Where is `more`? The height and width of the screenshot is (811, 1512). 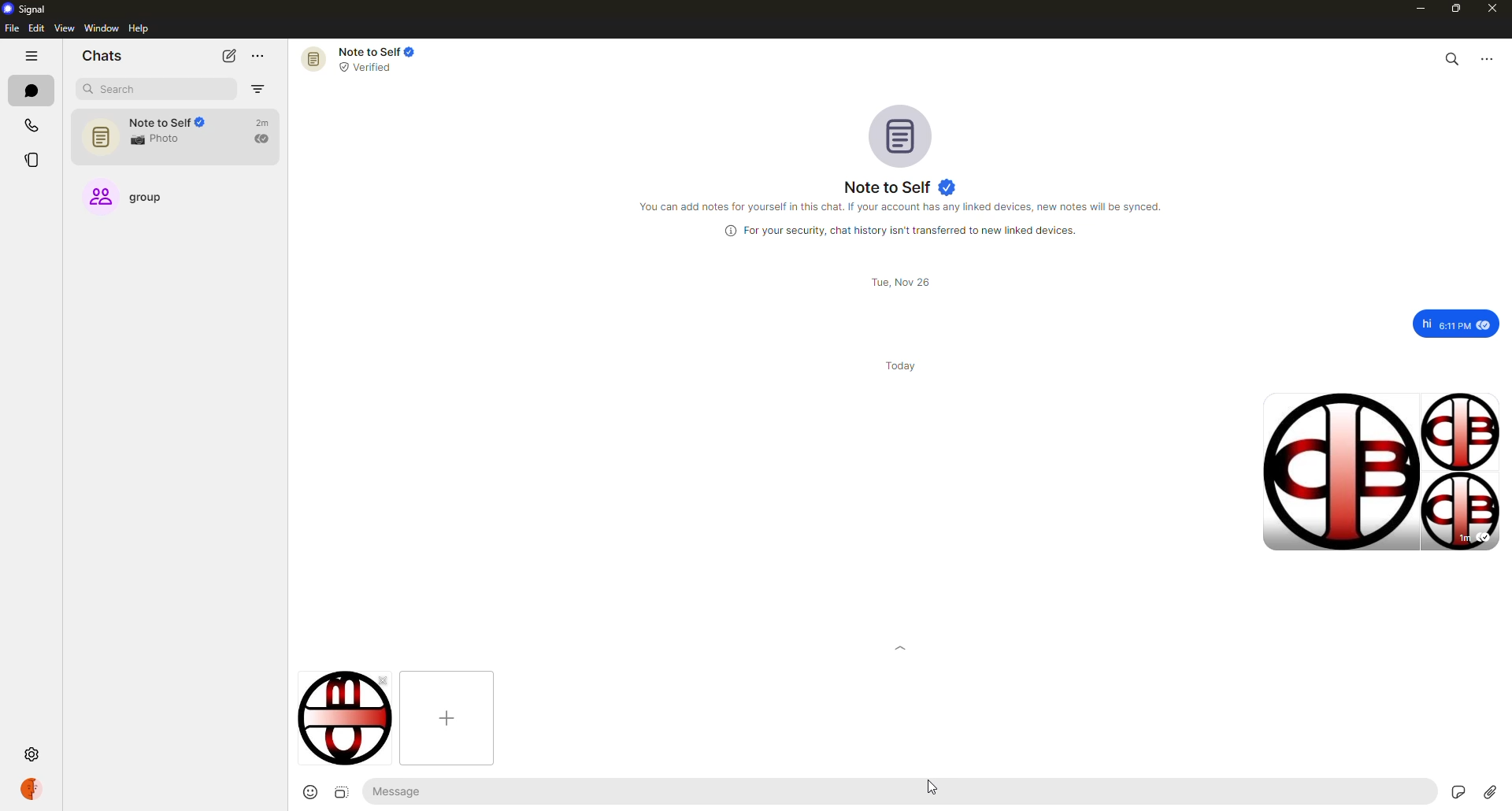
more is located at coordinates (260, 56).